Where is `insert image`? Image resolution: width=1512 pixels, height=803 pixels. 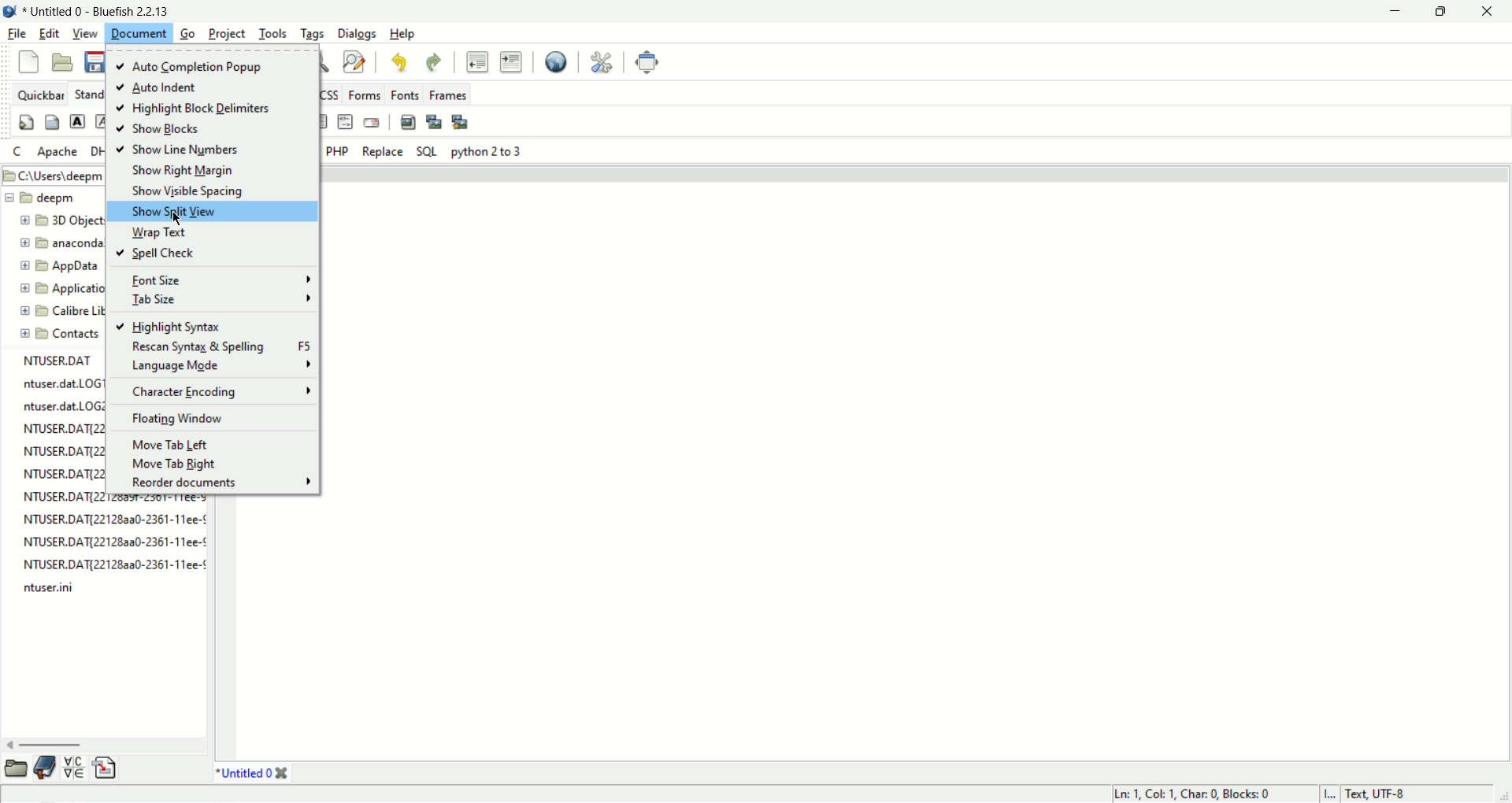 insert image is located at coordinates (409, 123).